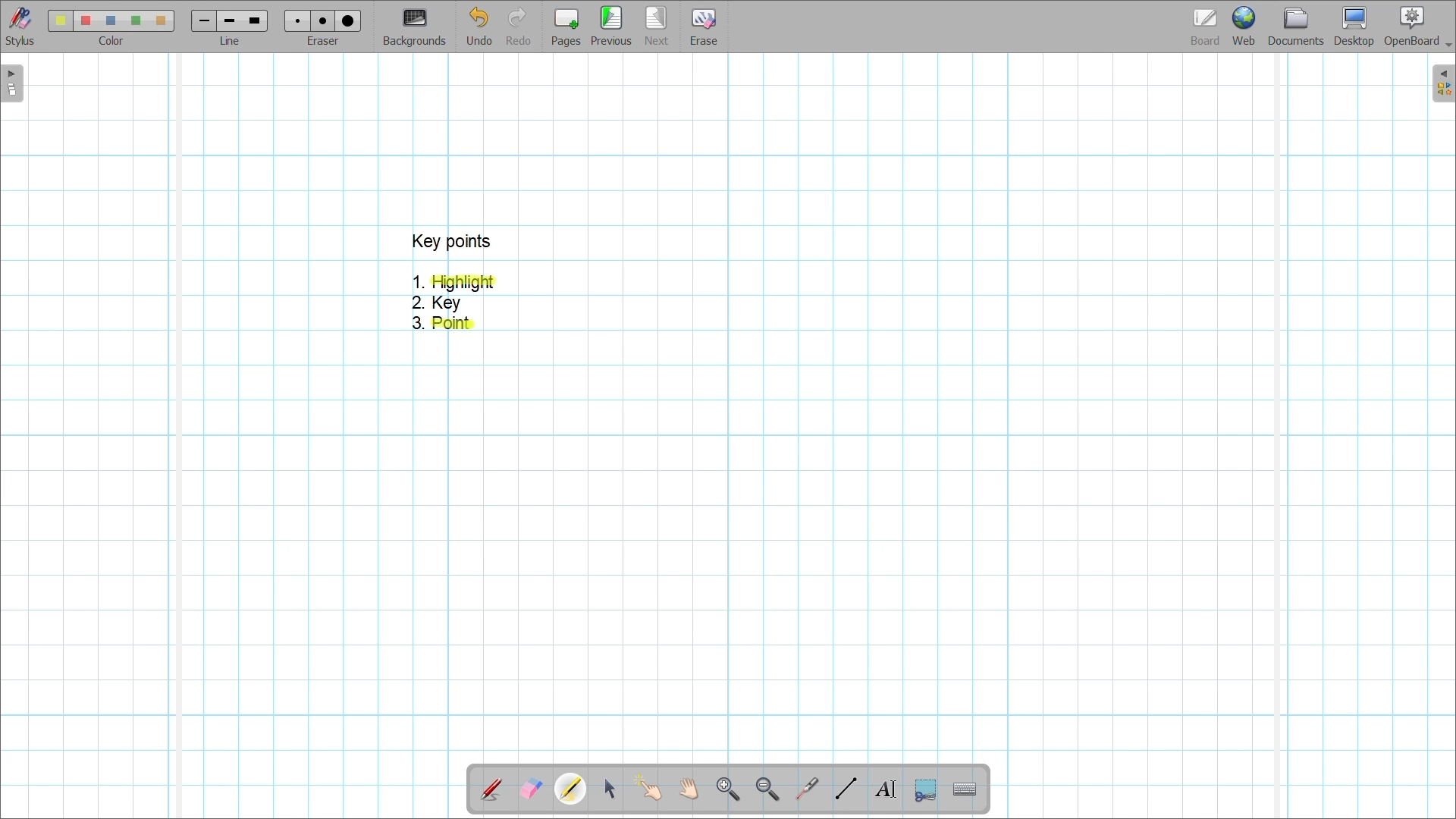 This screenshot has width=1456, height=819. What do you see at coordinates (414, 27) in the screenshot?
I see `Change background` at bounding box center [414, 27].